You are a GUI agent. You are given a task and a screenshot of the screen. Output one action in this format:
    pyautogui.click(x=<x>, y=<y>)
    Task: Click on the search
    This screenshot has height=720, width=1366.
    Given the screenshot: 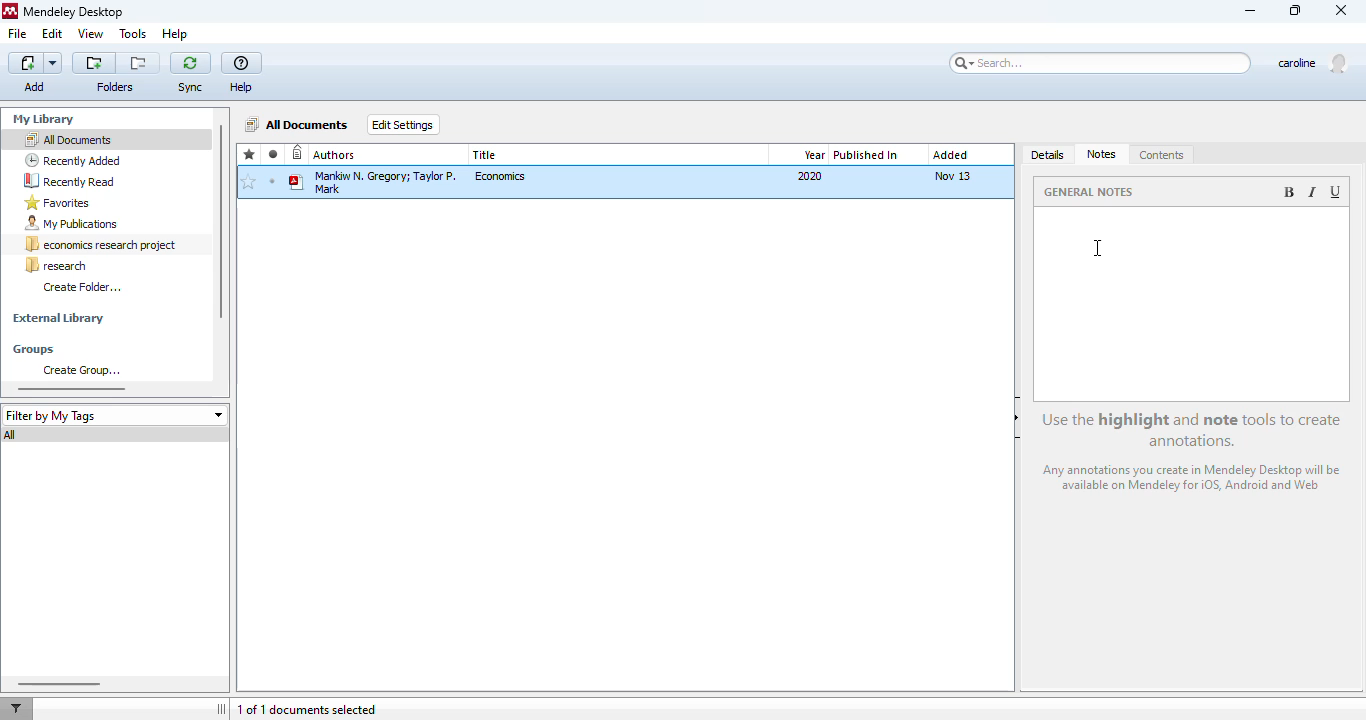 What is the action you would take?
    pyautogui.click(x=1101, y=63)
    